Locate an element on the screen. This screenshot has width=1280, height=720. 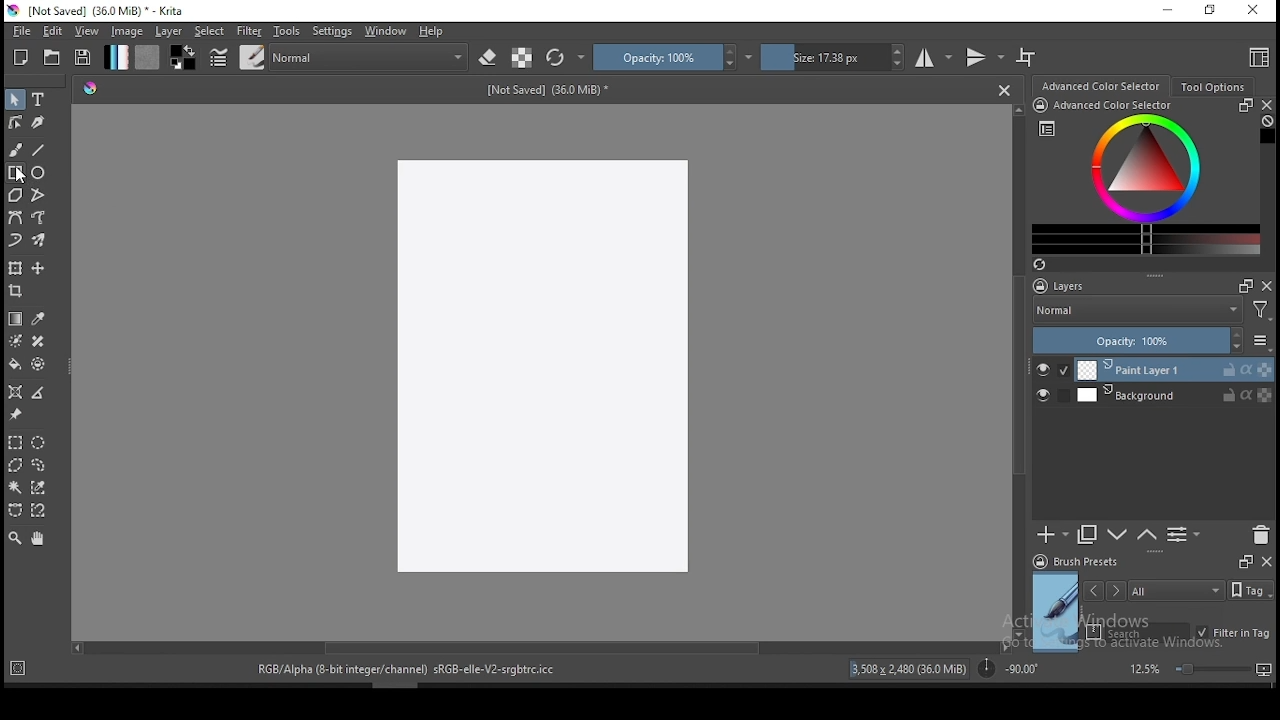
resolution is located at coordinates (903, 669).